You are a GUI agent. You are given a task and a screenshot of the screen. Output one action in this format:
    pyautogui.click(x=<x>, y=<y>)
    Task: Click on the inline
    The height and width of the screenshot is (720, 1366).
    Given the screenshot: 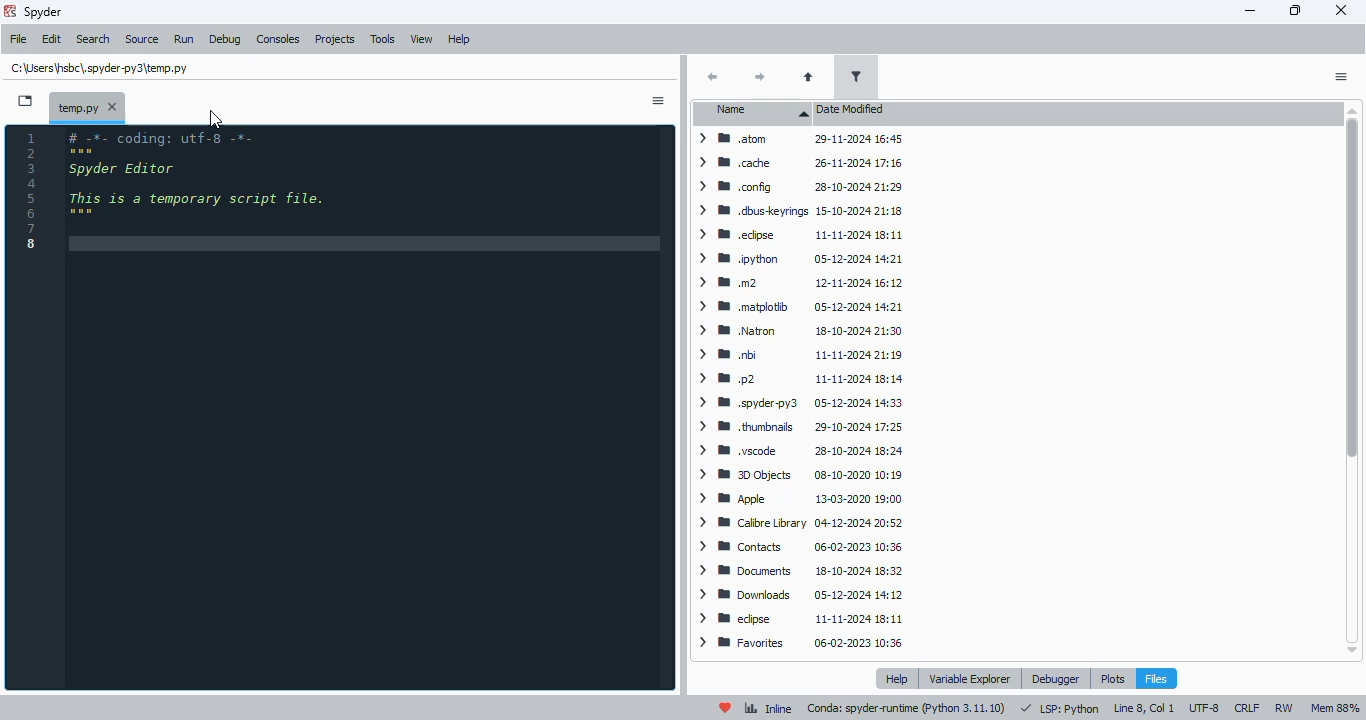 What is the action you would take?
    pyautogui.click(x=768, y=708)
    